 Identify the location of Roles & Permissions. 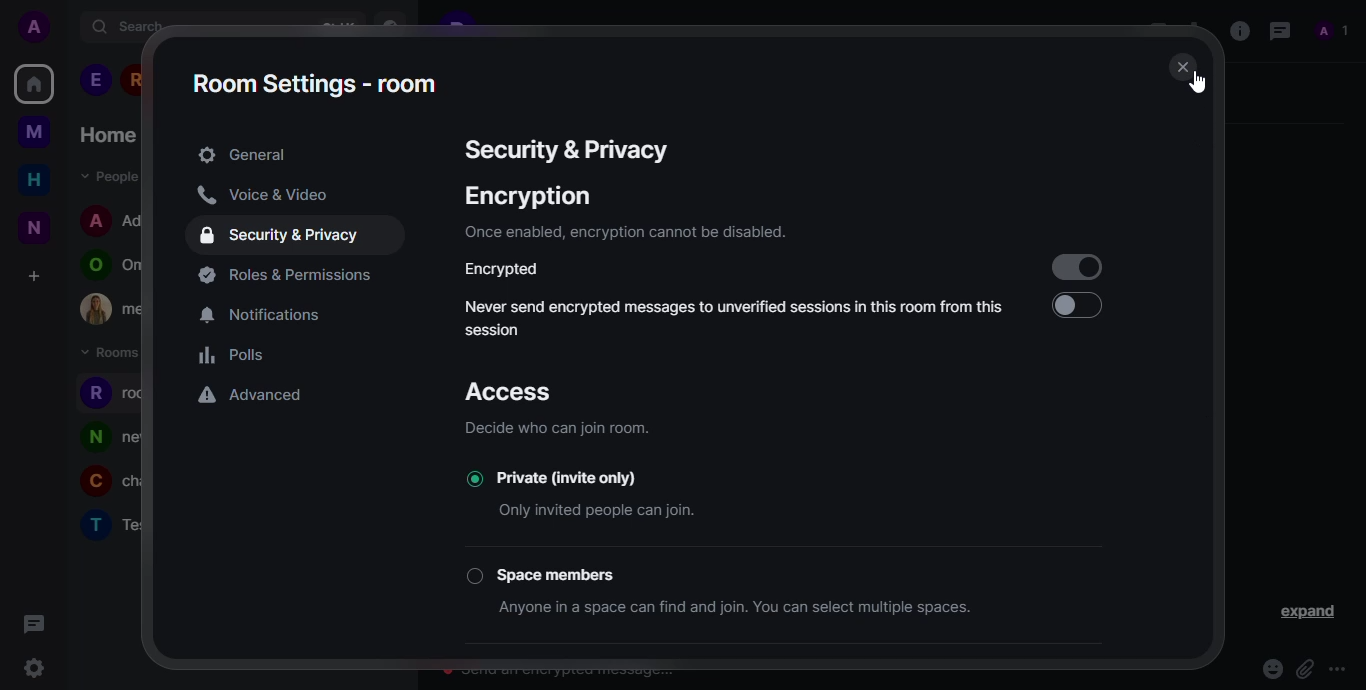
(282, 276).